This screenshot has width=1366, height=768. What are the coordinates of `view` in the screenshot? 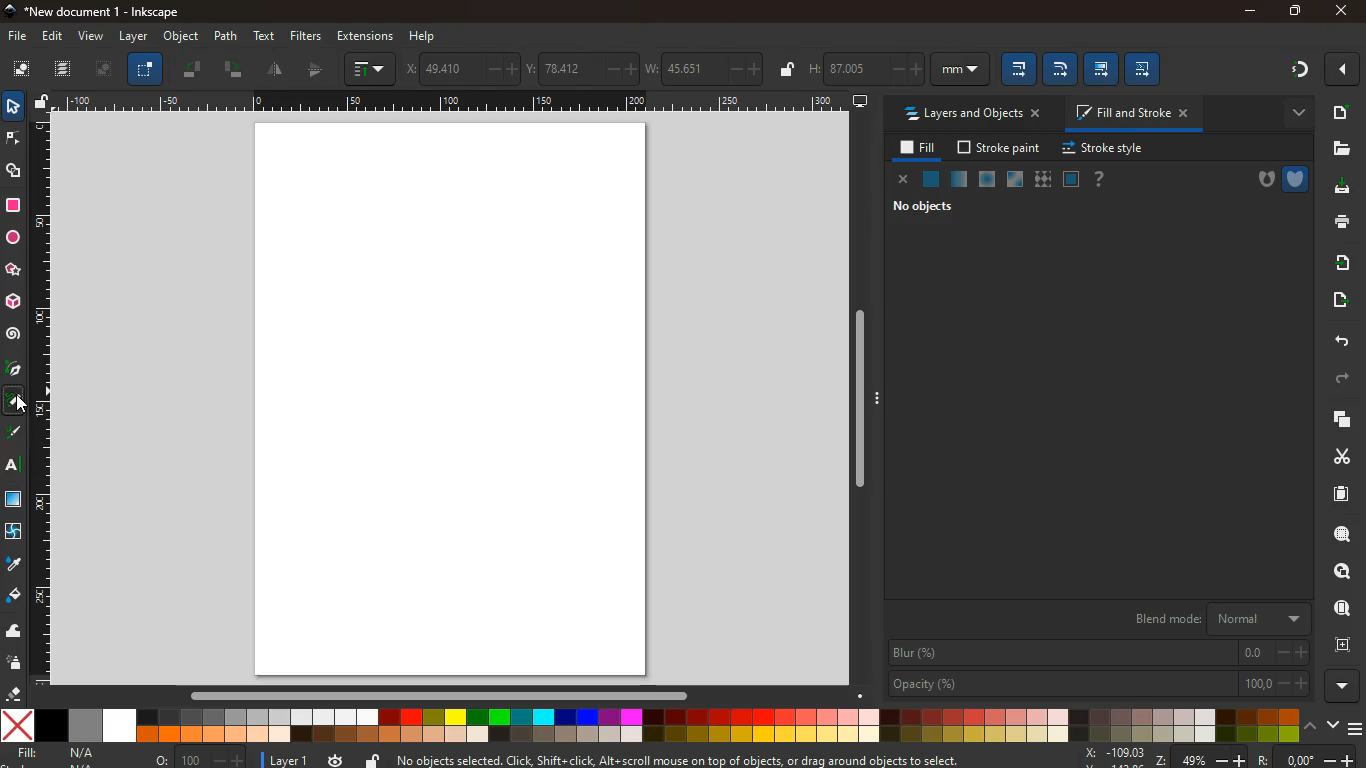 It's located at (92, 37).